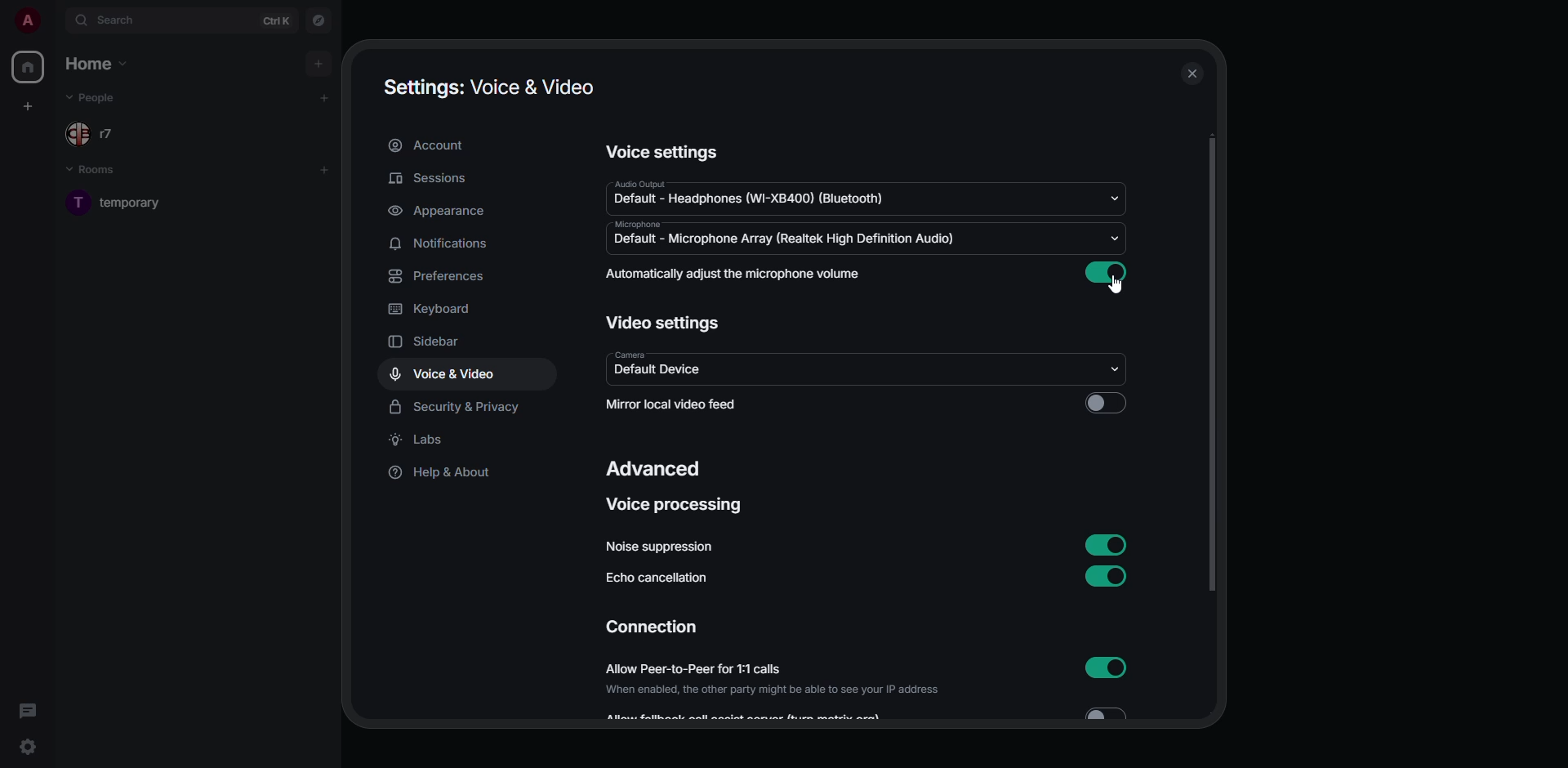 This screenshot has width=1568, height=768. Describe the element at coordinates (458, 405) in the screenshot. I see `security & privacy` at that location.